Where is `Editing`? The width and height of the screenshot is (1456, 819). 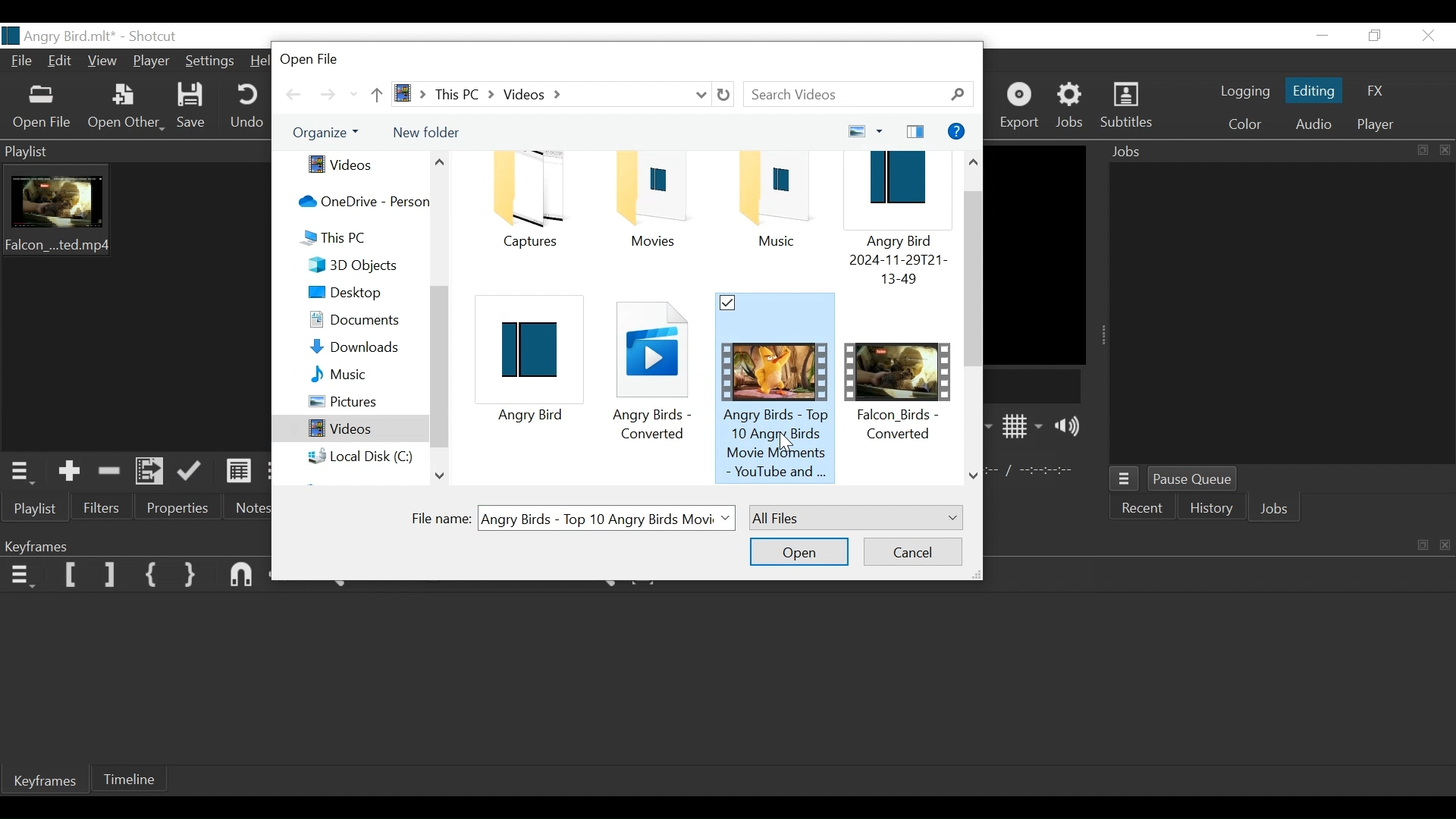
Editing is located at coordinates (1316, 91).